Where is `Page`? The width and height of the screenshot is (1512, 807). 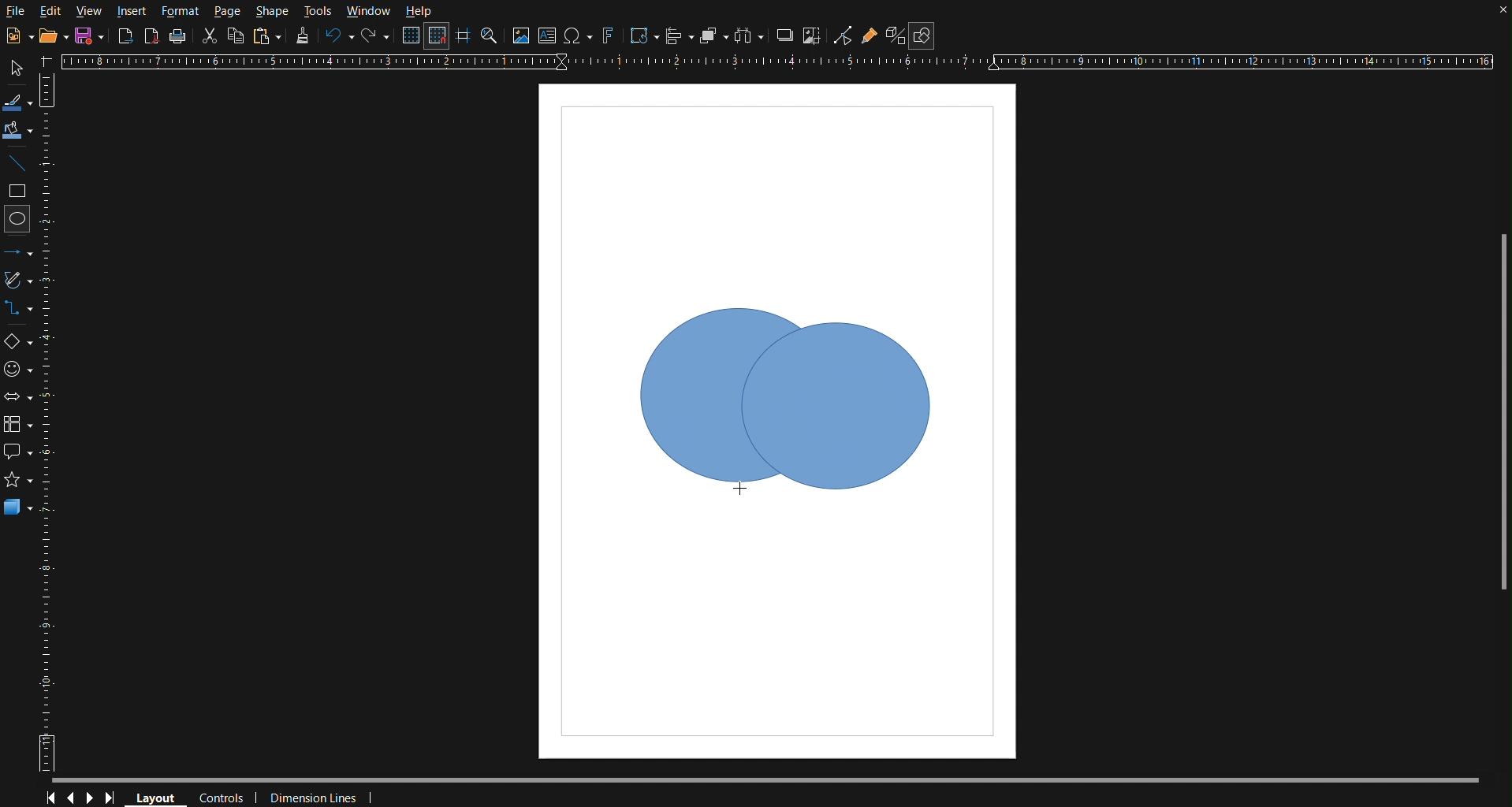
Page is located at coordinates (229, 11).